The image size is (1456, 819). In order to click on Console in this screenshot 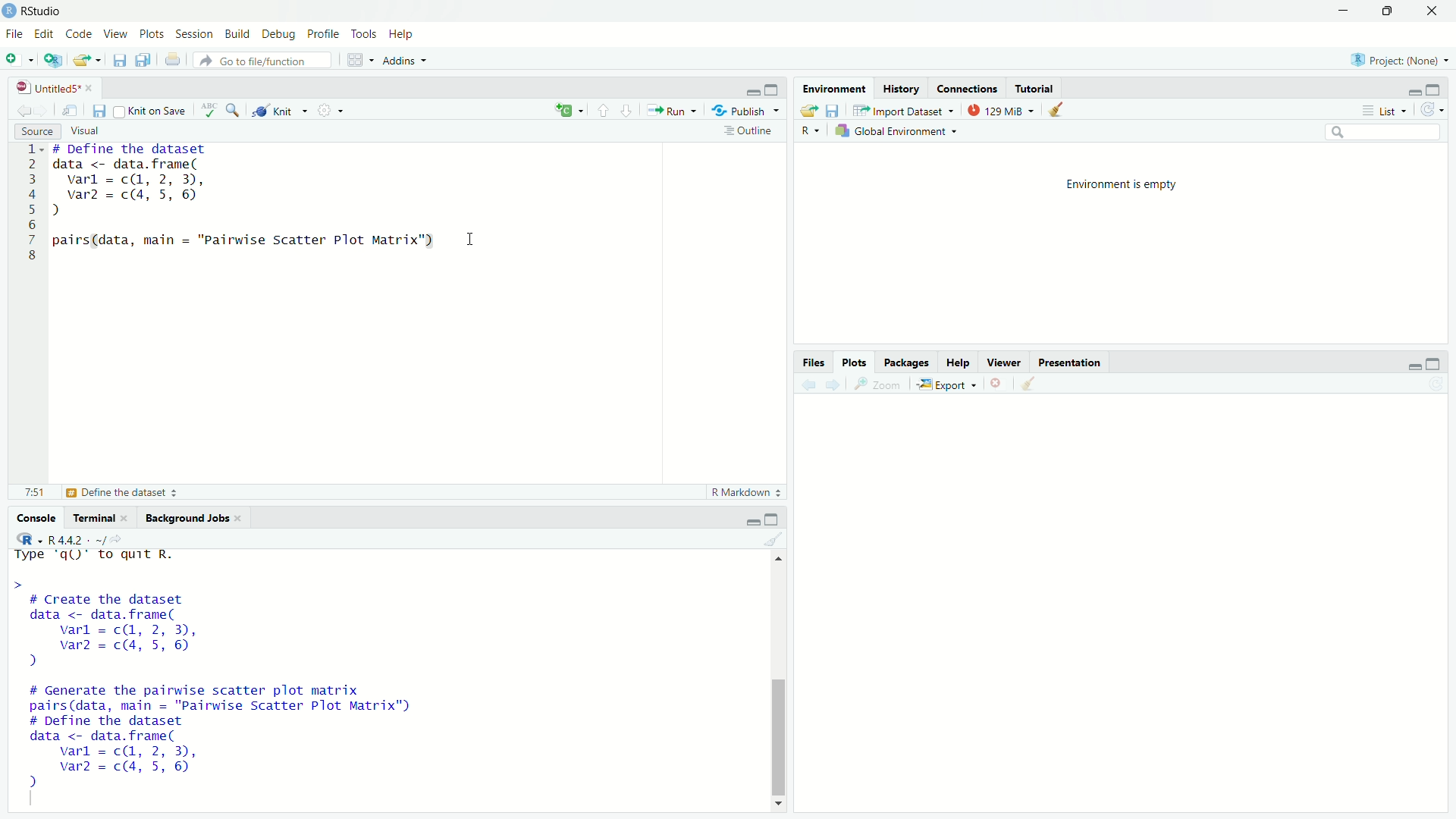, I will do `click(36, 519)`.